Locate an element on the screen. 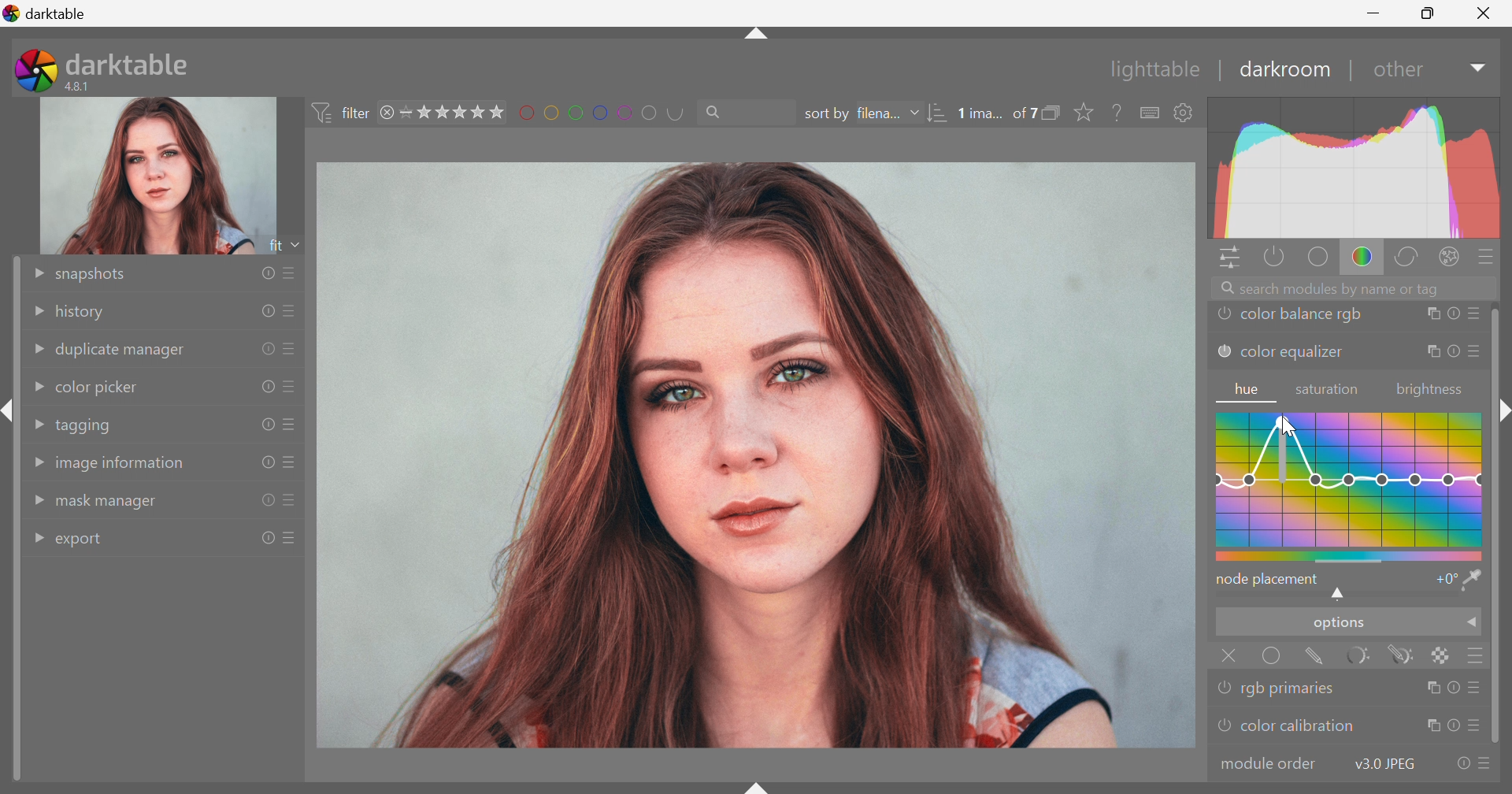 This screenshot has width=1512, height=794. logo is located at coordinates (12, 13).